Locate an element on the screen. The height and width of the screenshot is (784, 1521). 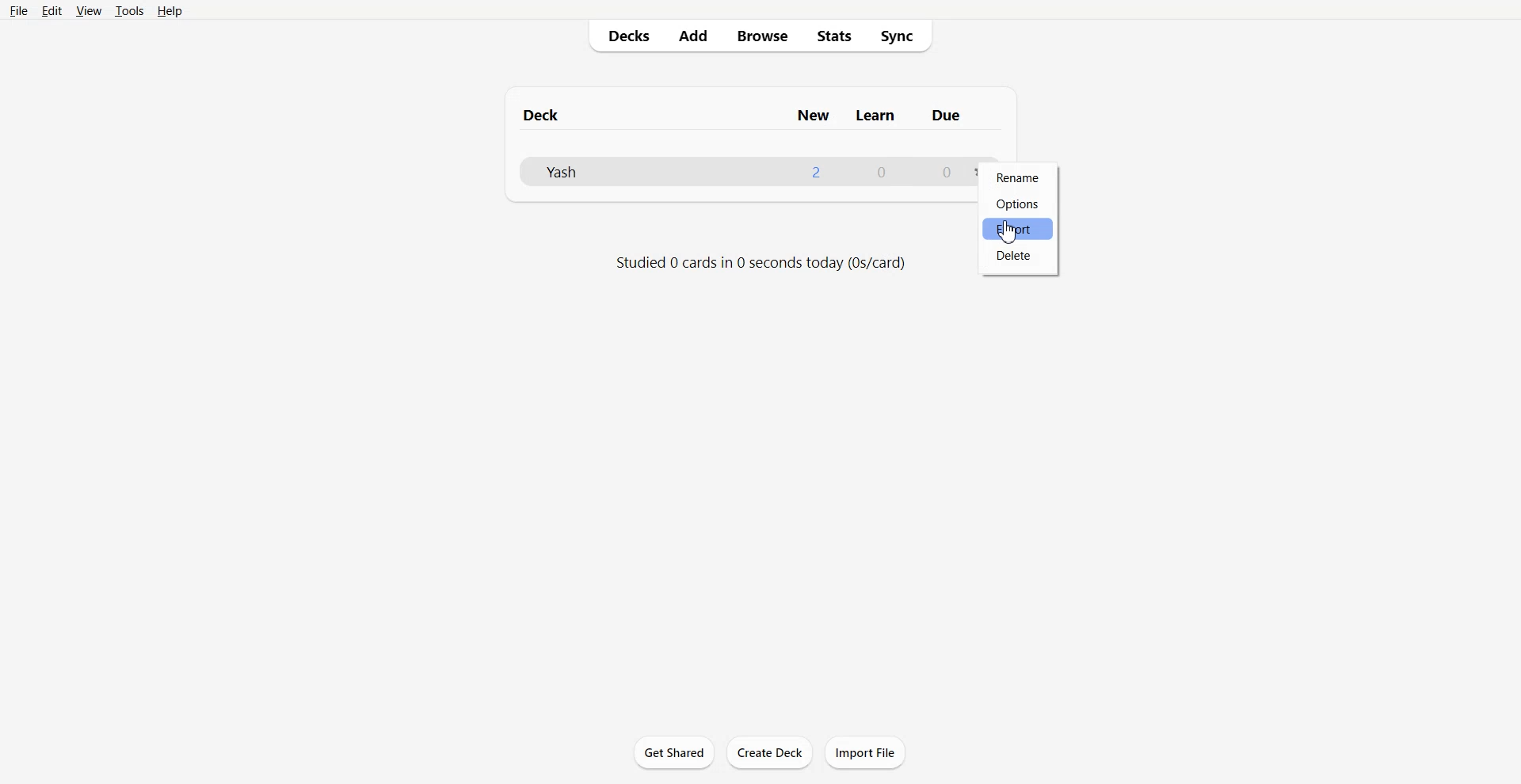
Create Deck is located at coordinates (769, 752).